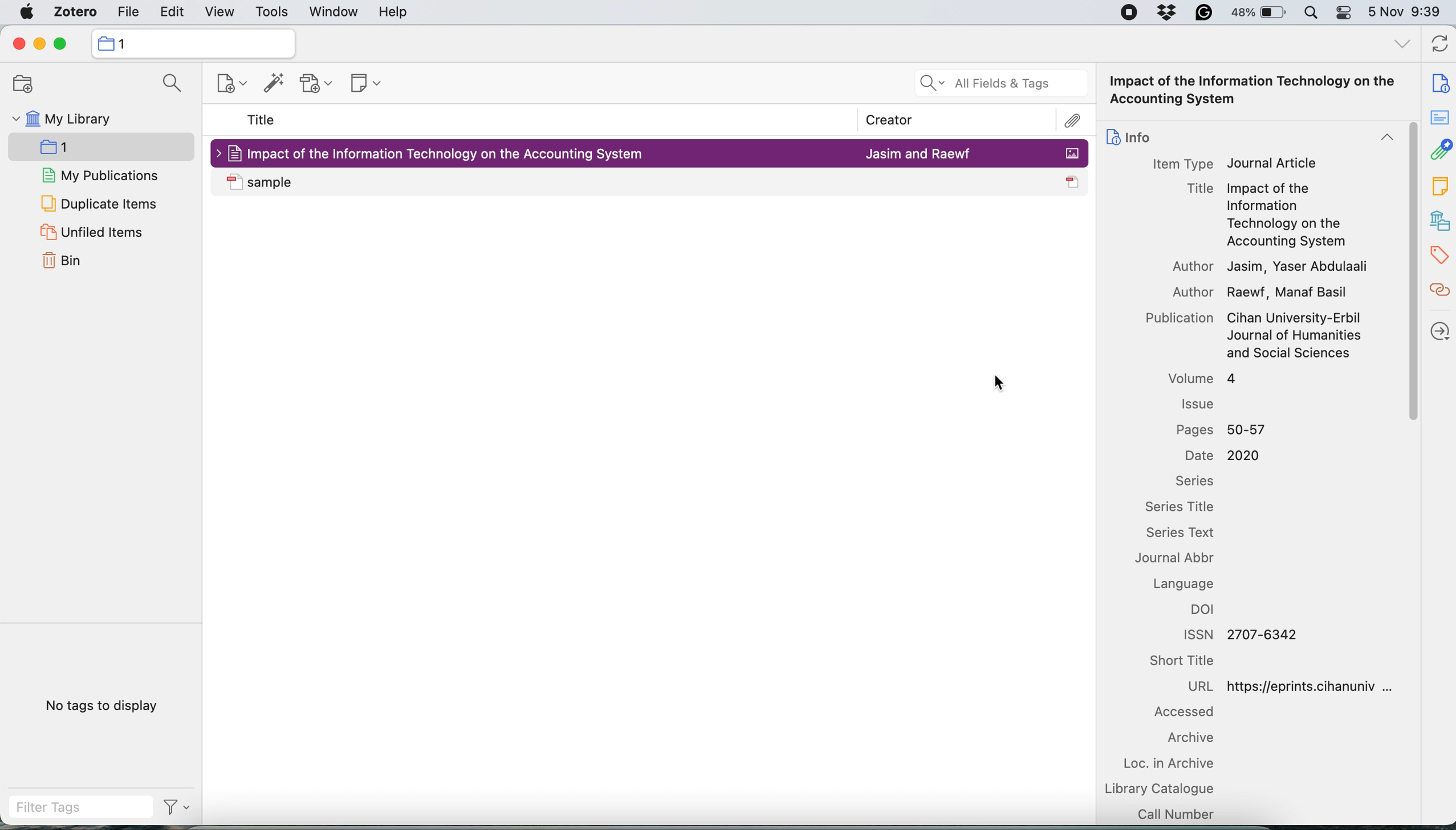  Describe the element at coordinates (26, 13) in the screenshot. I see `system logo` at that location.